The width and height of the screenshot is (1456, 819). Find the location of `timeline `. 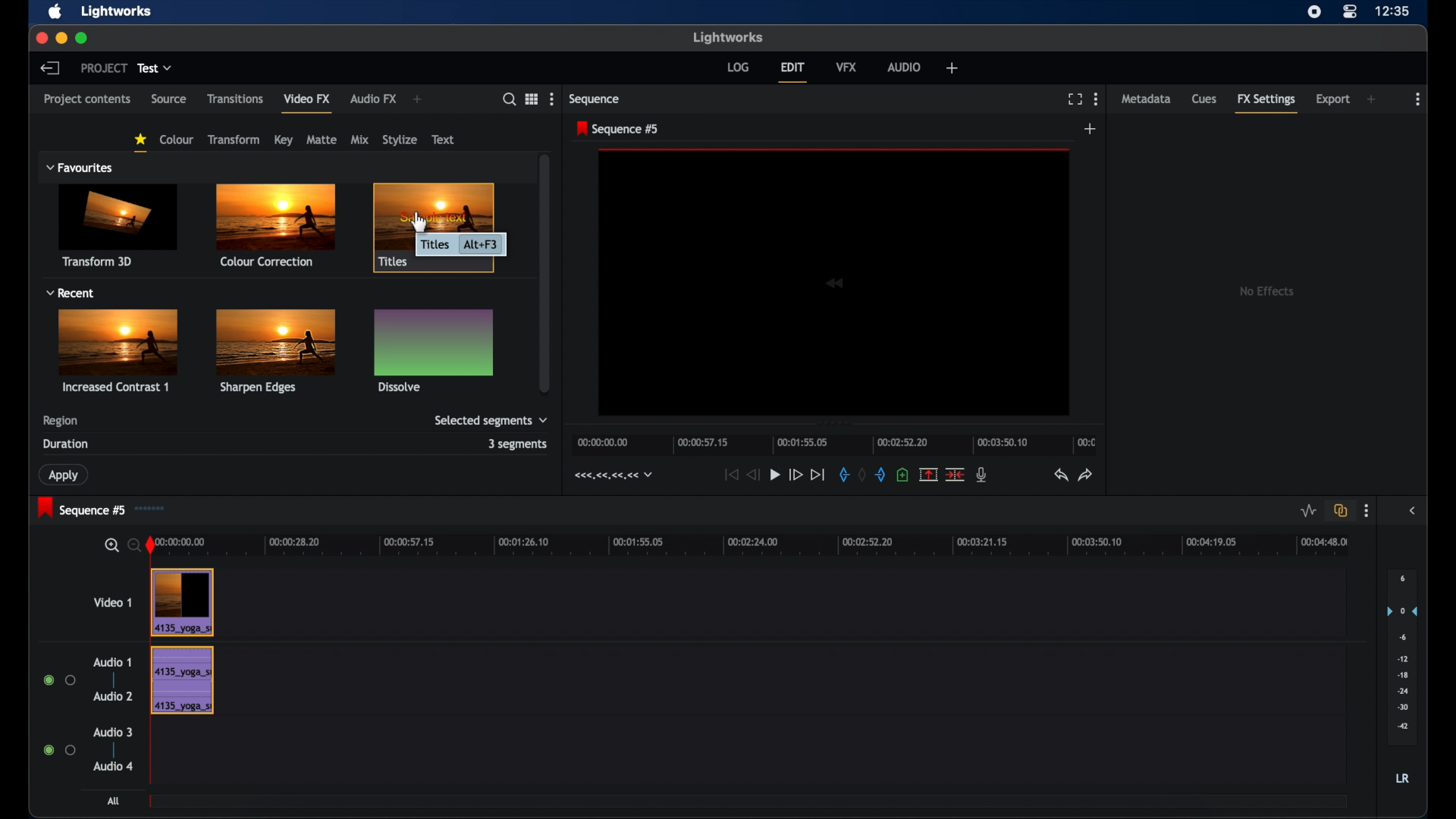

timeline  is located at coordinates (750, 544).